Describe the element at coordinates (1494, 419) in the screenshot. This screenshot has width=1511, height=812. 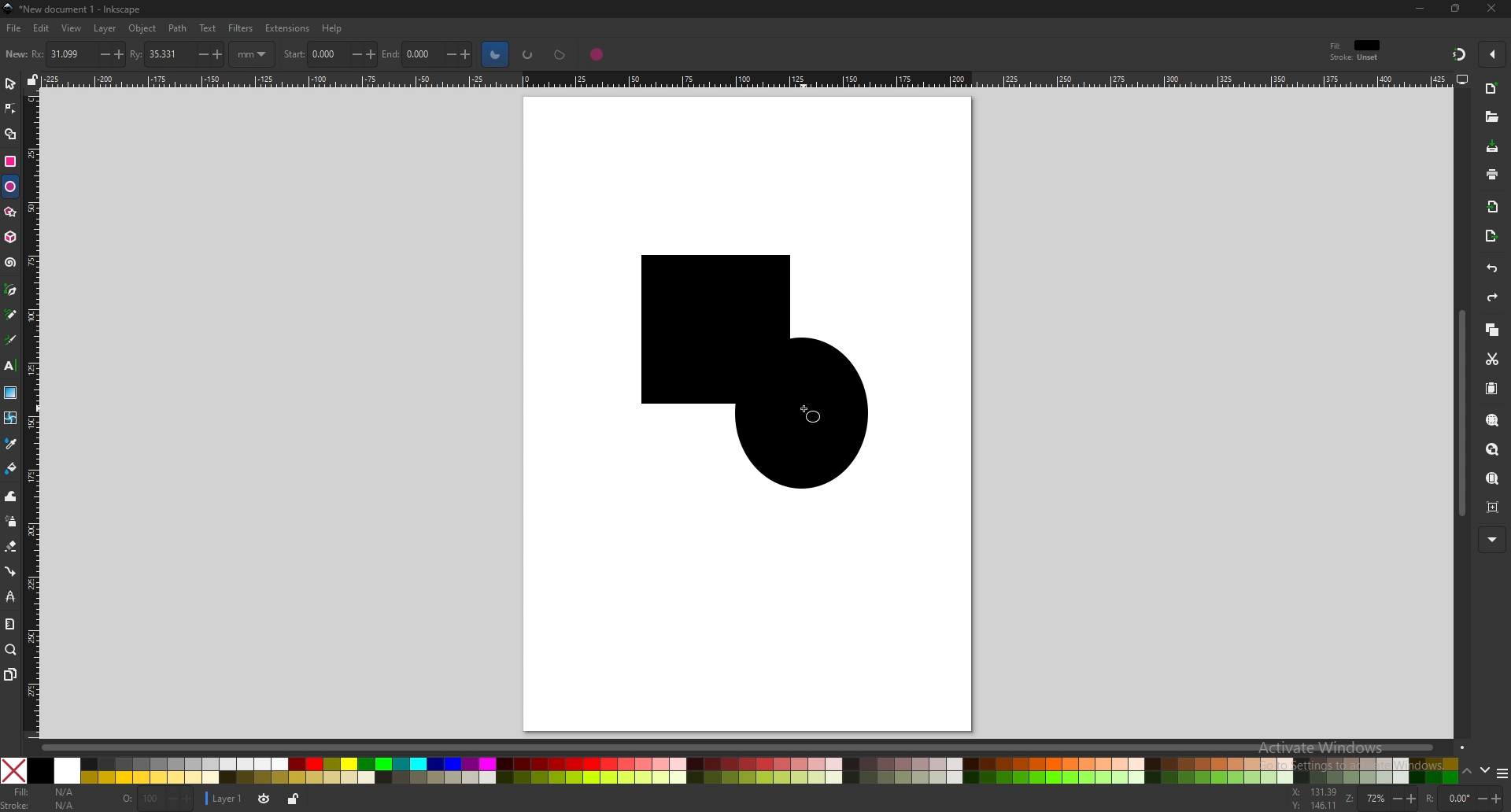
I see `zoom selection` at that location.